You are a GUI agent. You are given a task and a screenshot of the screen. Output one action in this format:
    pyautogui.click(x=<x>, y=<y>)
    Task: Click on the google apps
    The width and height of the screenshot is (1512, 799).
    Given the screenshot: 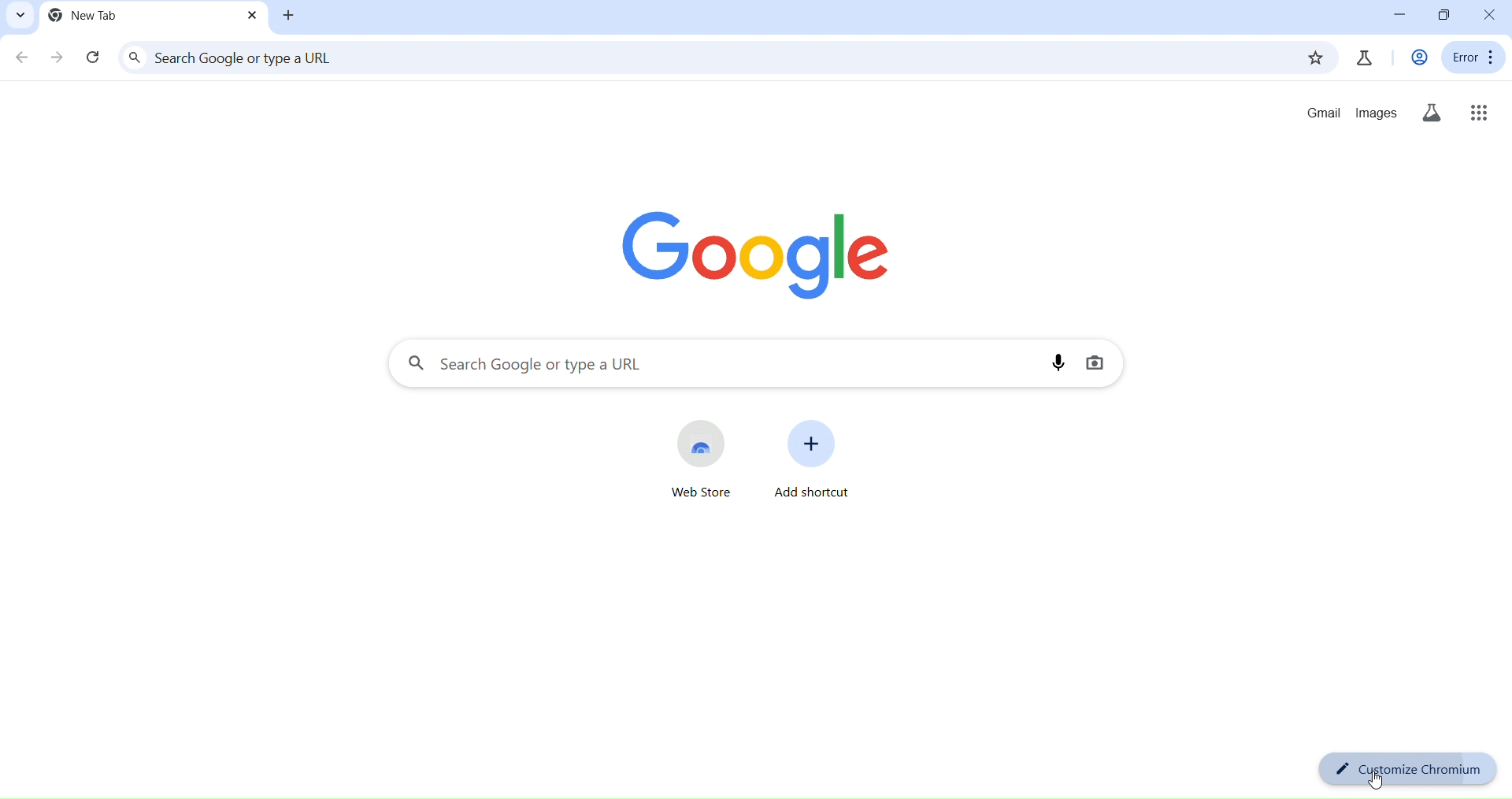 What is the action you would take?
    pyautogui.click(x=1478, y=114)
    